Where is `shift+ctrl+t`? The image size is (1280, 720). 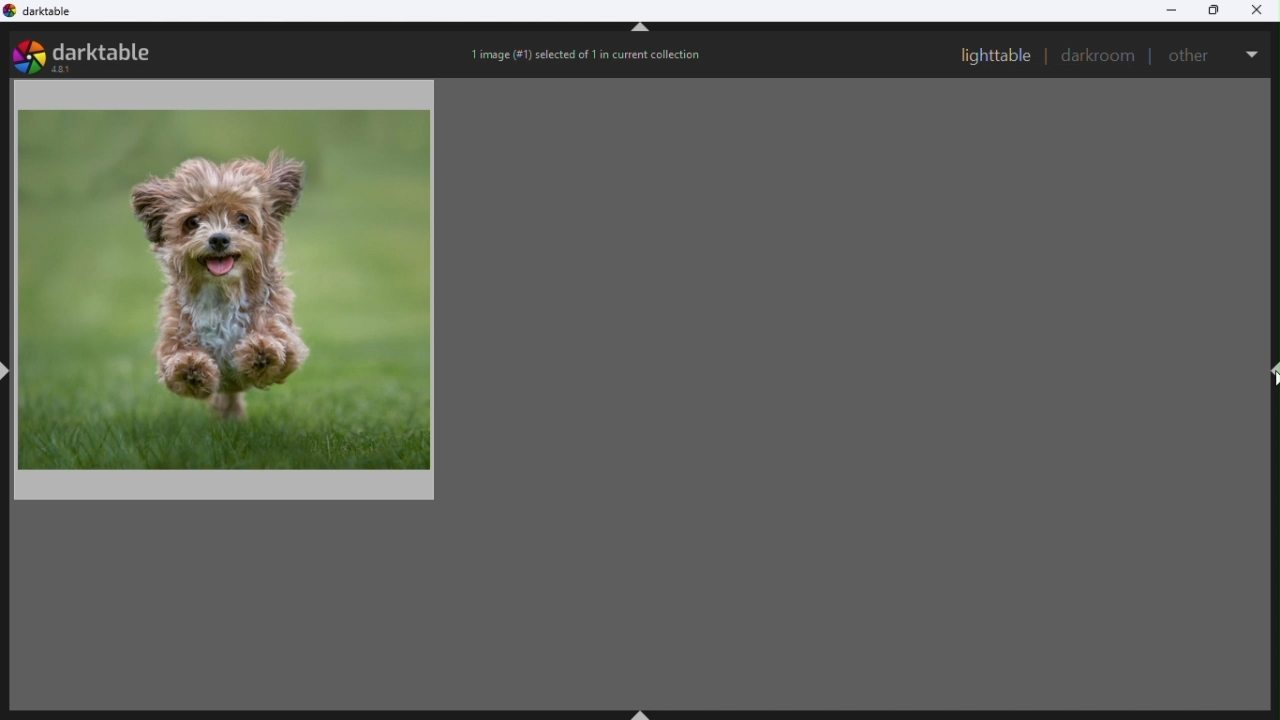
shift+ctrl+t is located at coordinates (641, 31).